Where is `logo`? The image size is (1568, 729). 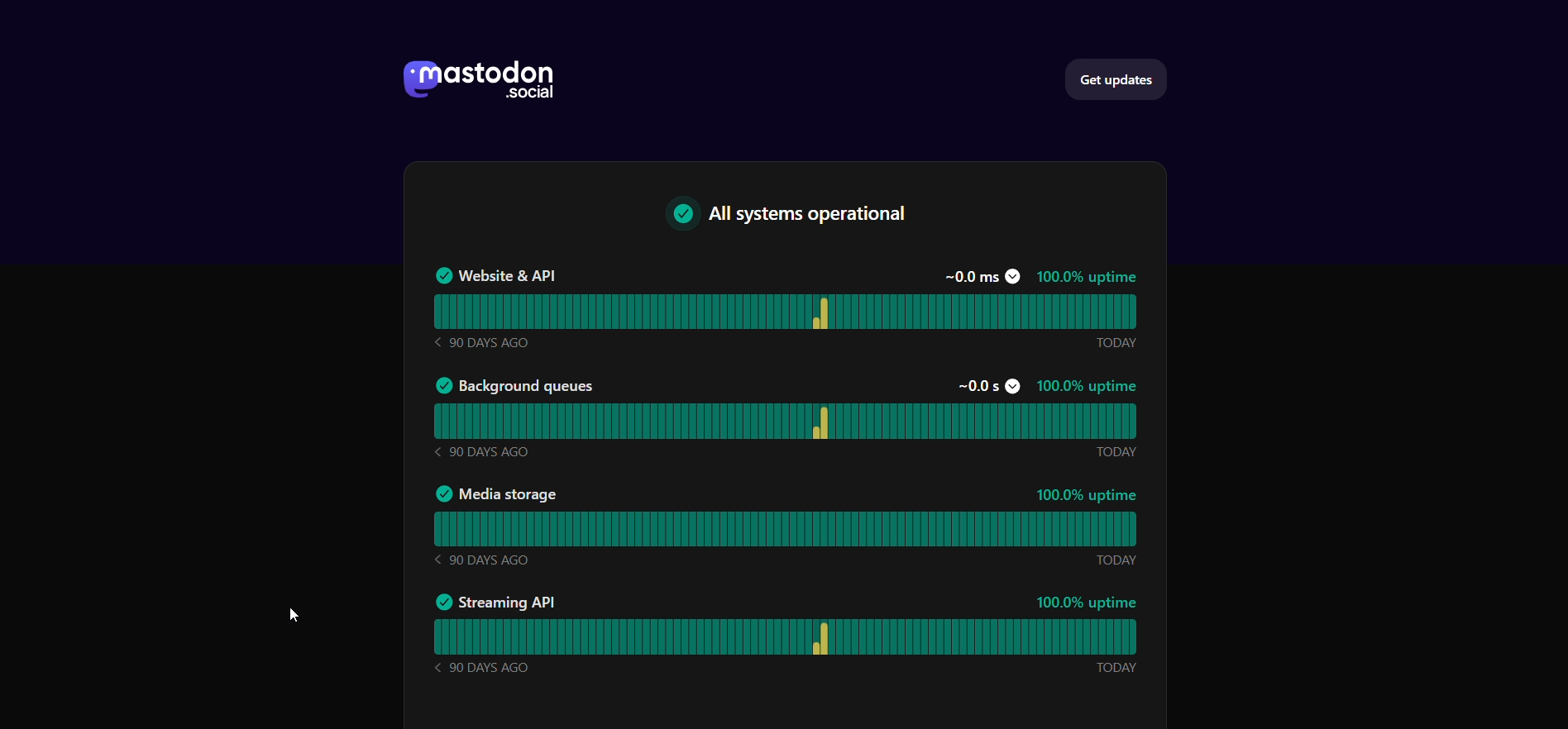
logo is located at coordinates (473, 79).